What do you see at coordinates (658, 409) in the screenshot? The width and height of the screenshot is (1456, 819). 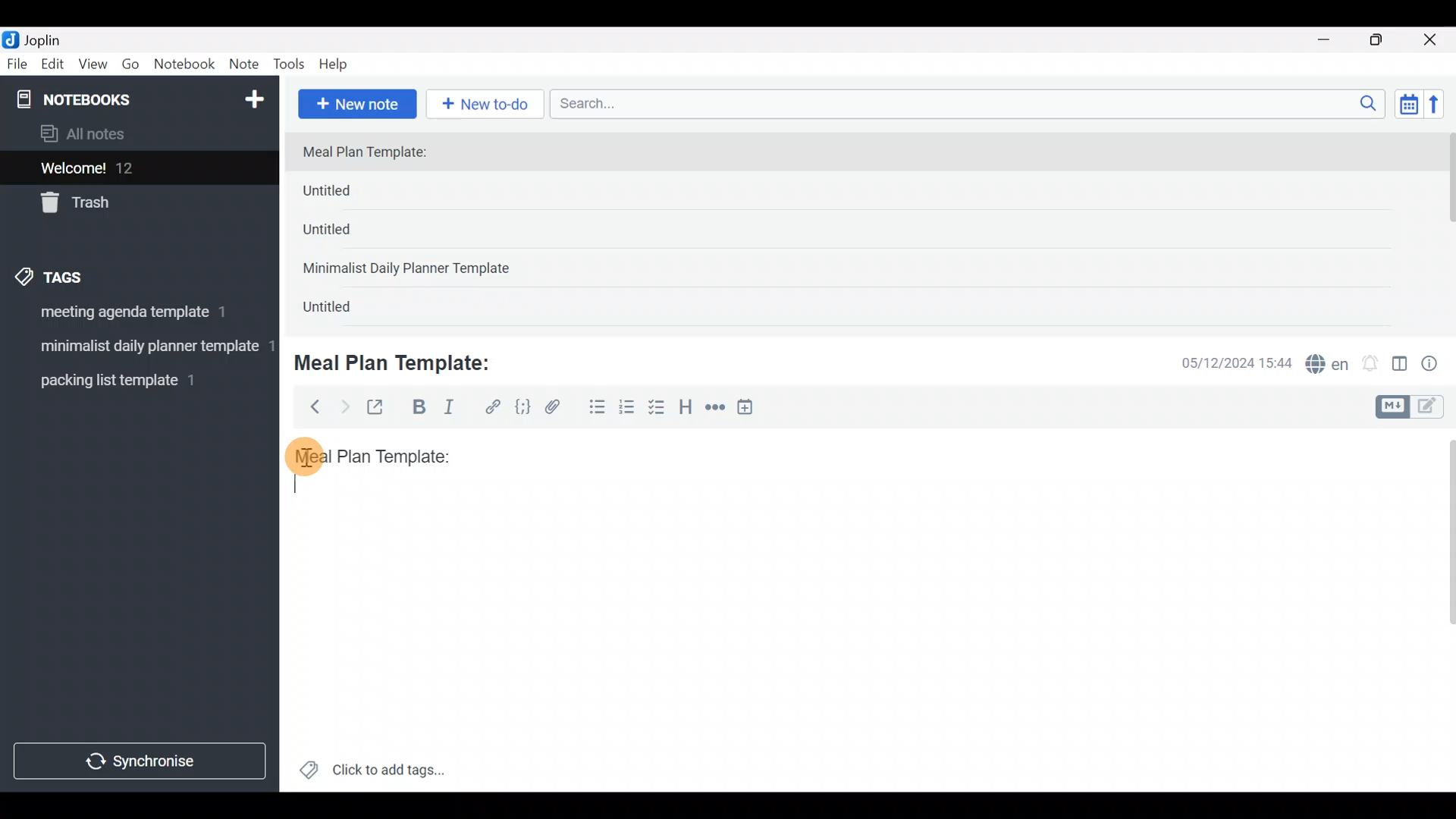 I see `Checkbox` at bounding box center [658, 409].